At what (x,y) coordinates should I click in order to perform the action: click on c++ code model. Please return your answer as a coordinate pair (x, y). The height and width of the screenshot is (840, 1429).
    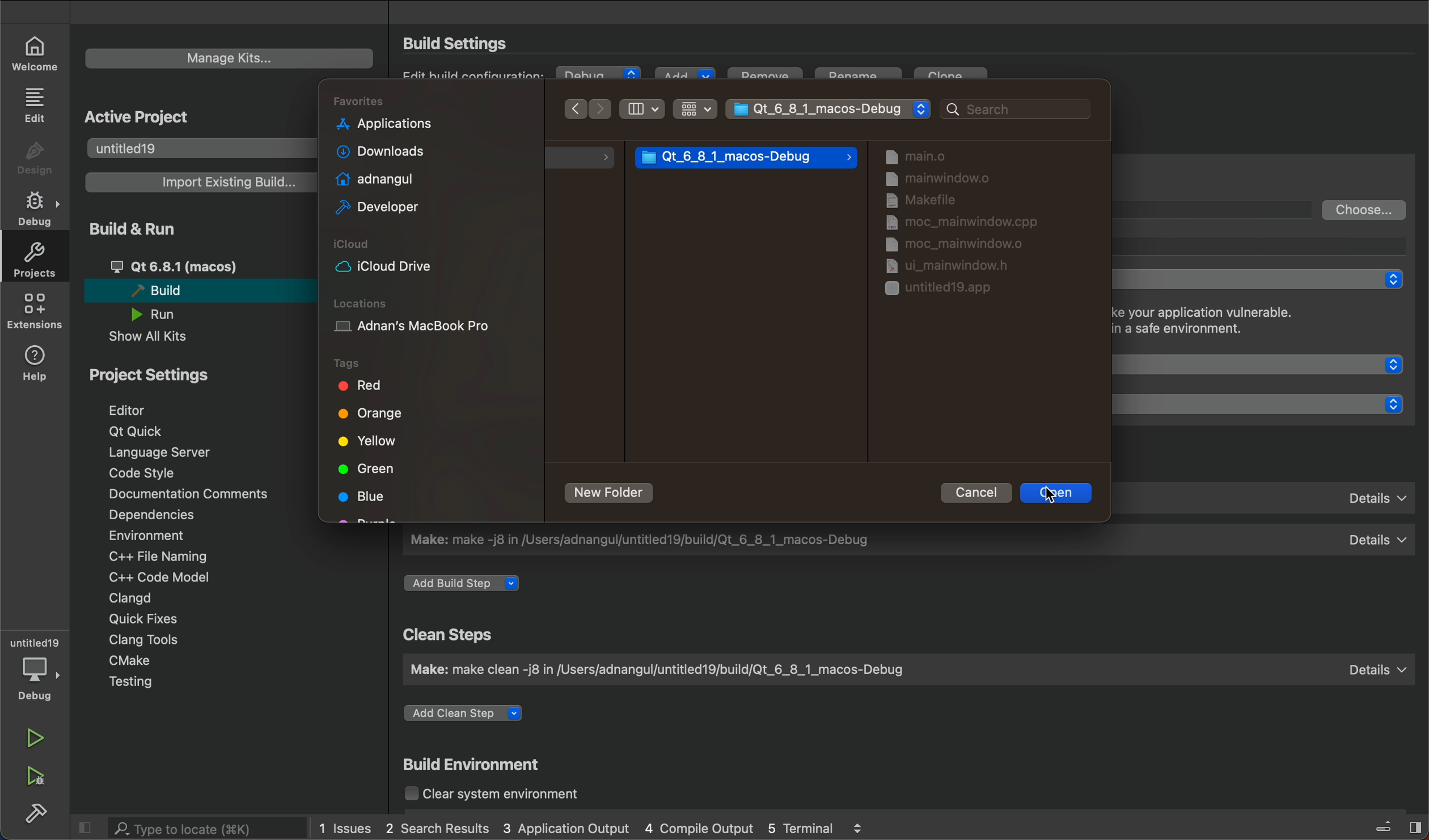
    Looking at the image, I should click on (157, 577).